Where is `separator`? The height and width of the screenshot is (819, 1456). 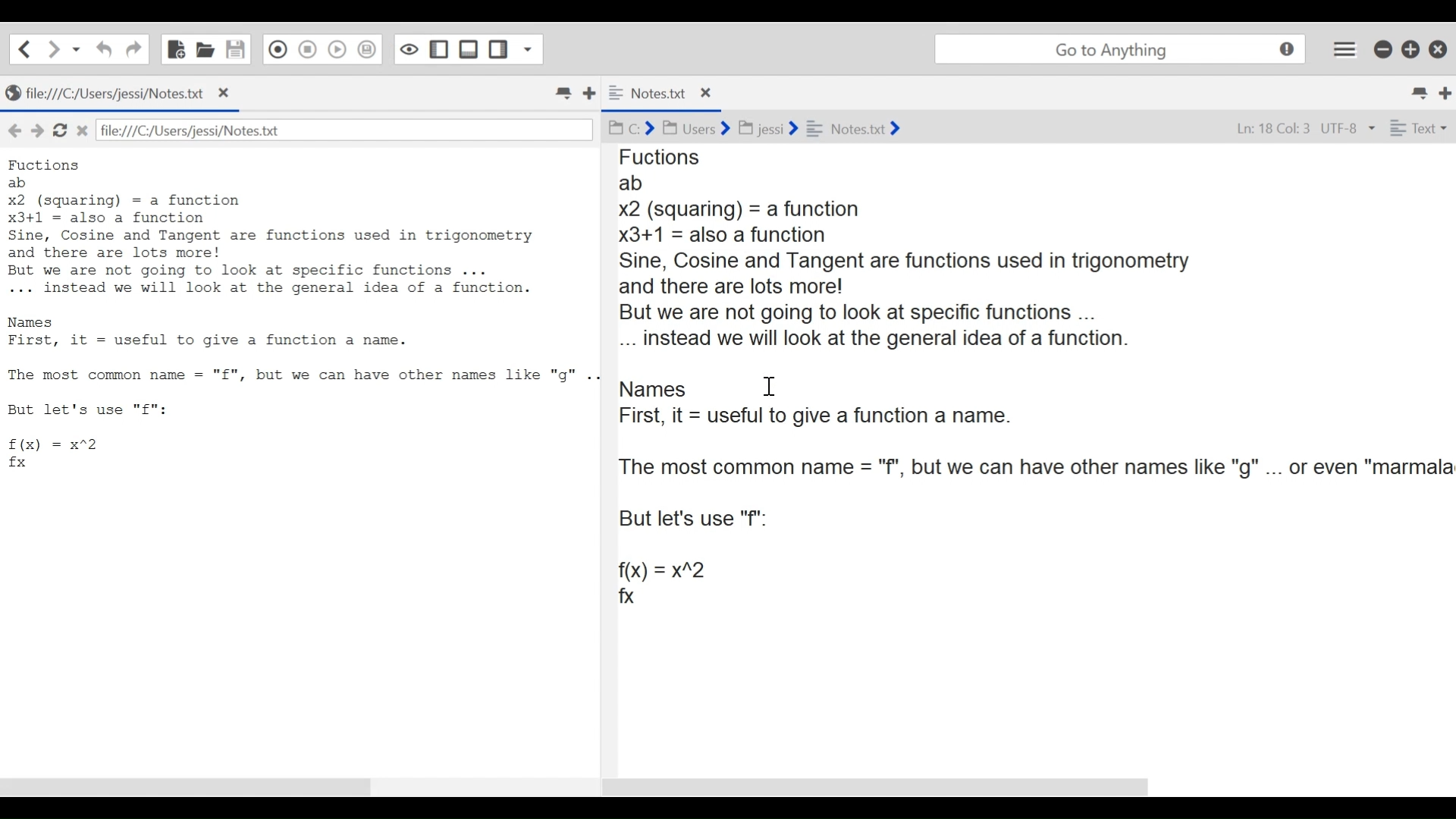
separator is located at coordinates (605, 457).